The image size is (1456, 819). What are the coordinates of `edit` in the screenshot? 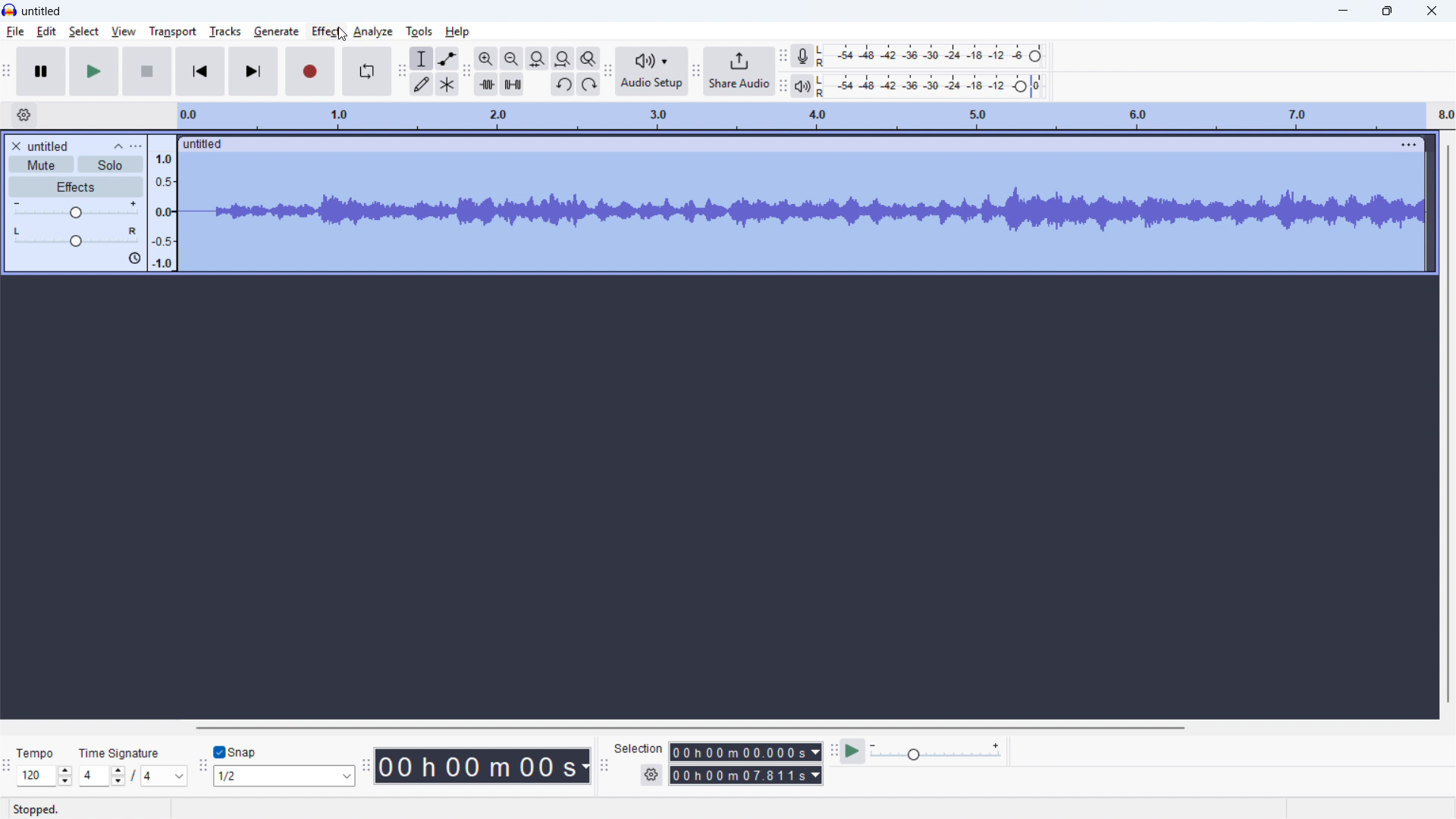 It's located at (46, 32).